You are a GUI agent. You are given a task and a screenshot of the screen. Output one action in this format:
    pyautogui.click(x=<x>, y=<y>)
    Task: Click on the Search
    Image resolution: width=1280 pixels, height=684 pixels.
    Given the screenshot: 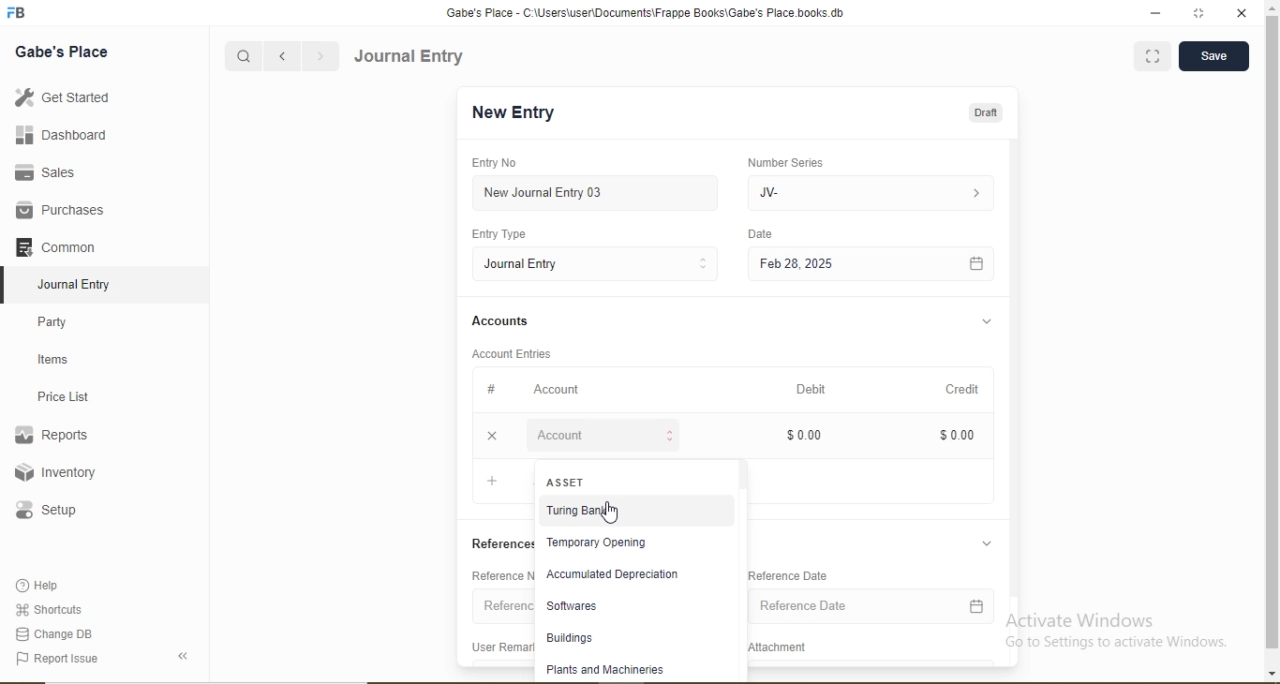 What is the action you would take?
    pyautogui.click(x=242, y=57)
    